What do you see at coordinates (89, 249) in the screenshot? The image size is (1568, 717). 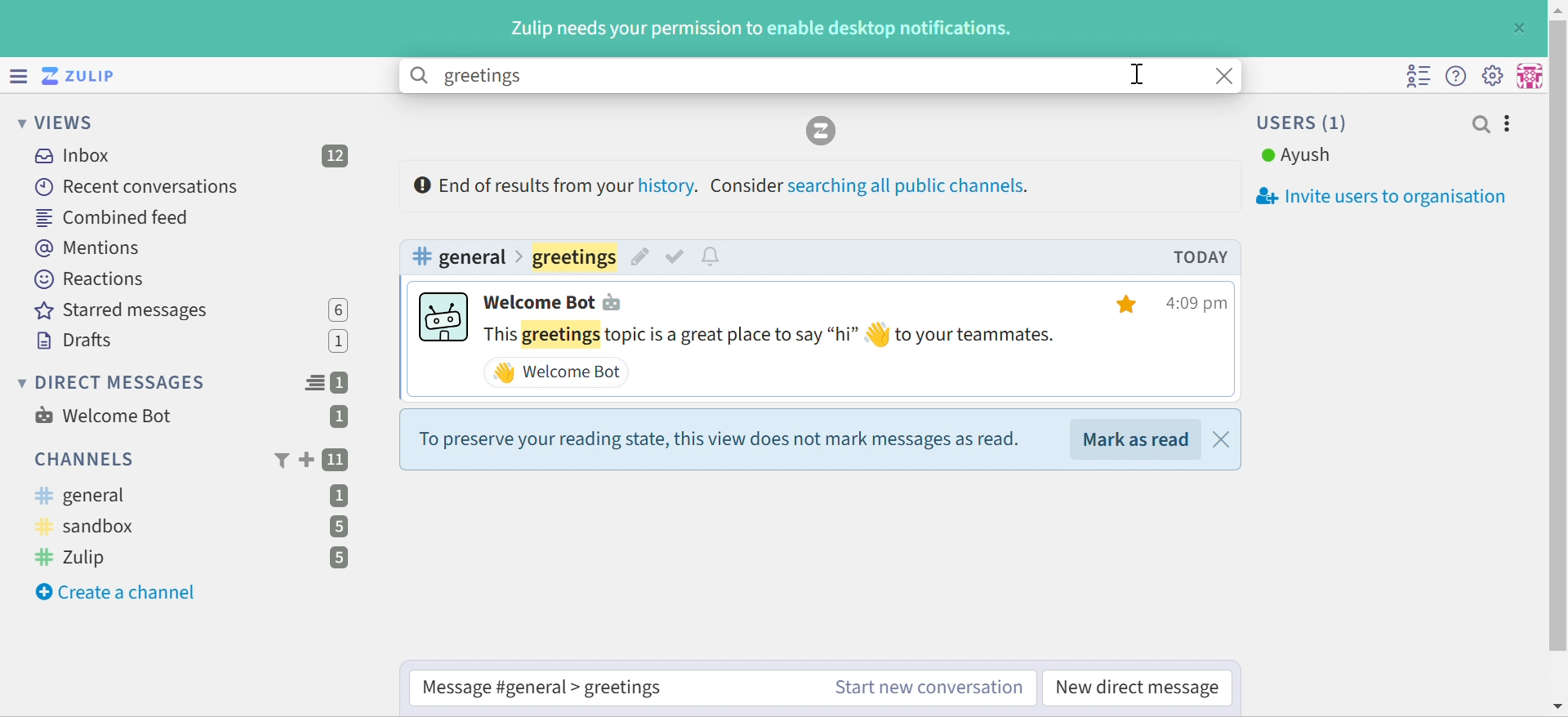 I see `@Mentions` at bounding box center [89, 249].